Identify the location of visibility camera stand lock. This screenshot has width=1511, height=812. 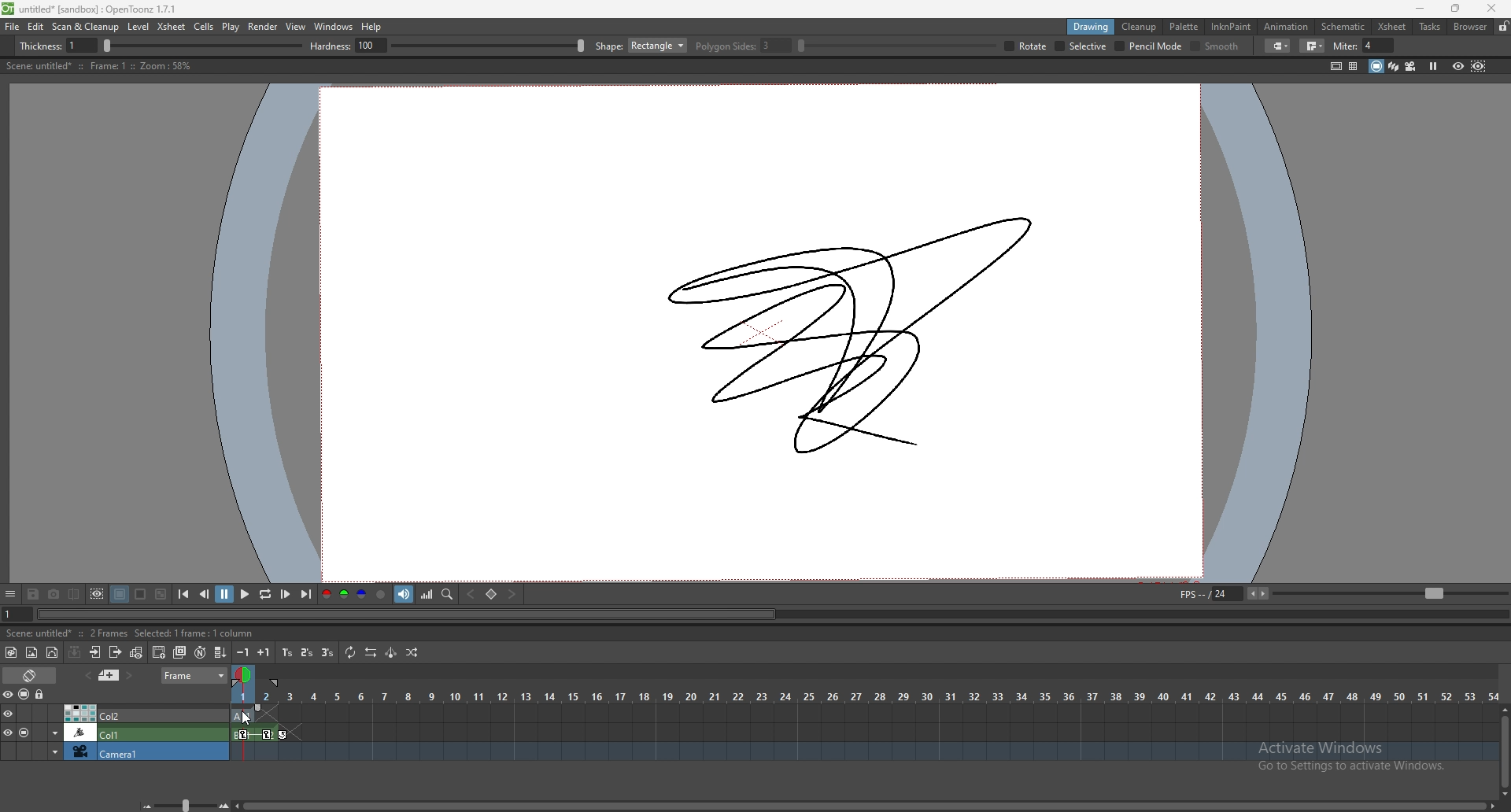
(26, 694).